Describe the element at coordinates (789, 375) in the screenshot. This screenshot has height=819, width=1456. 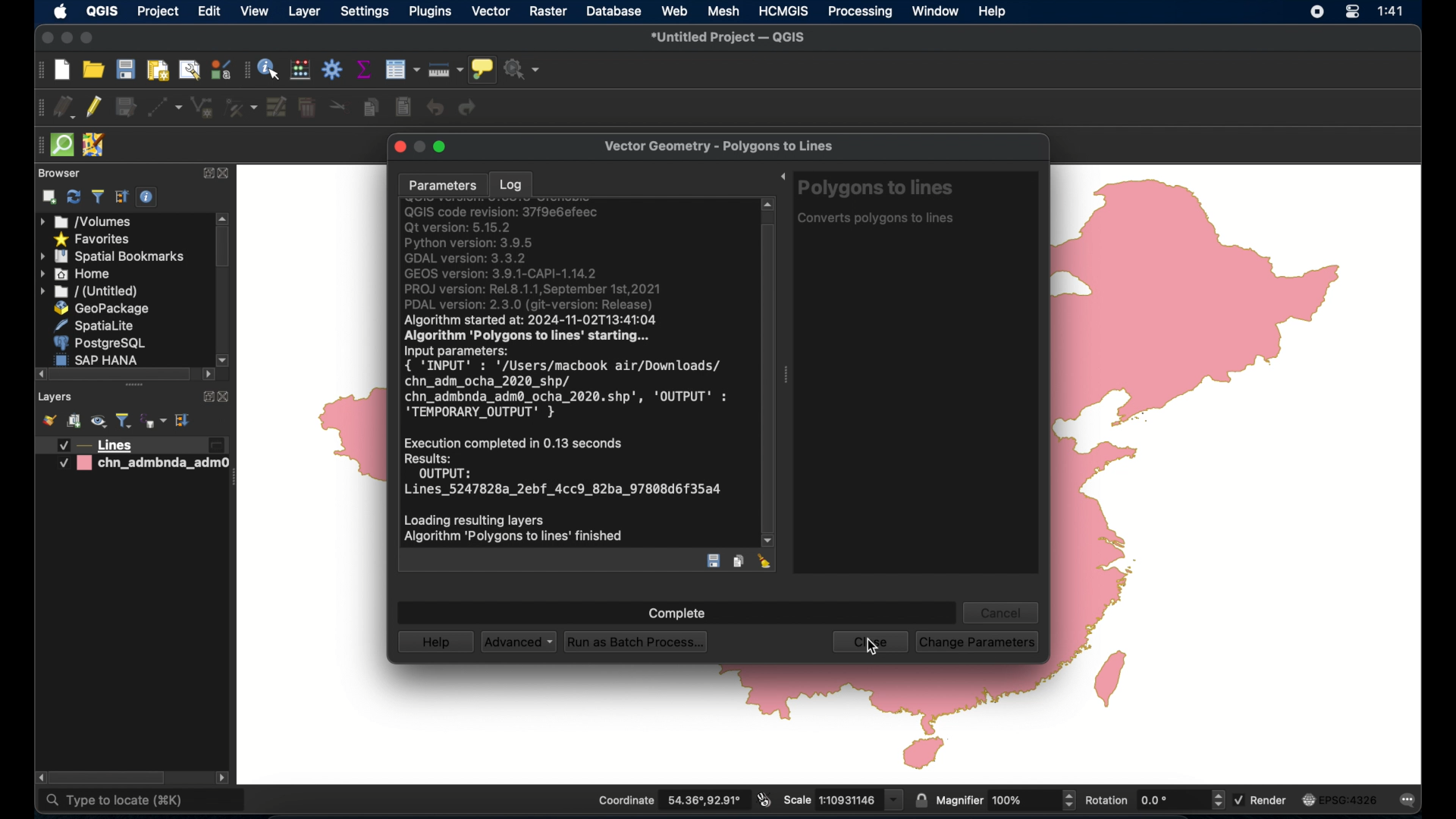
I see `drag handle` at that location.